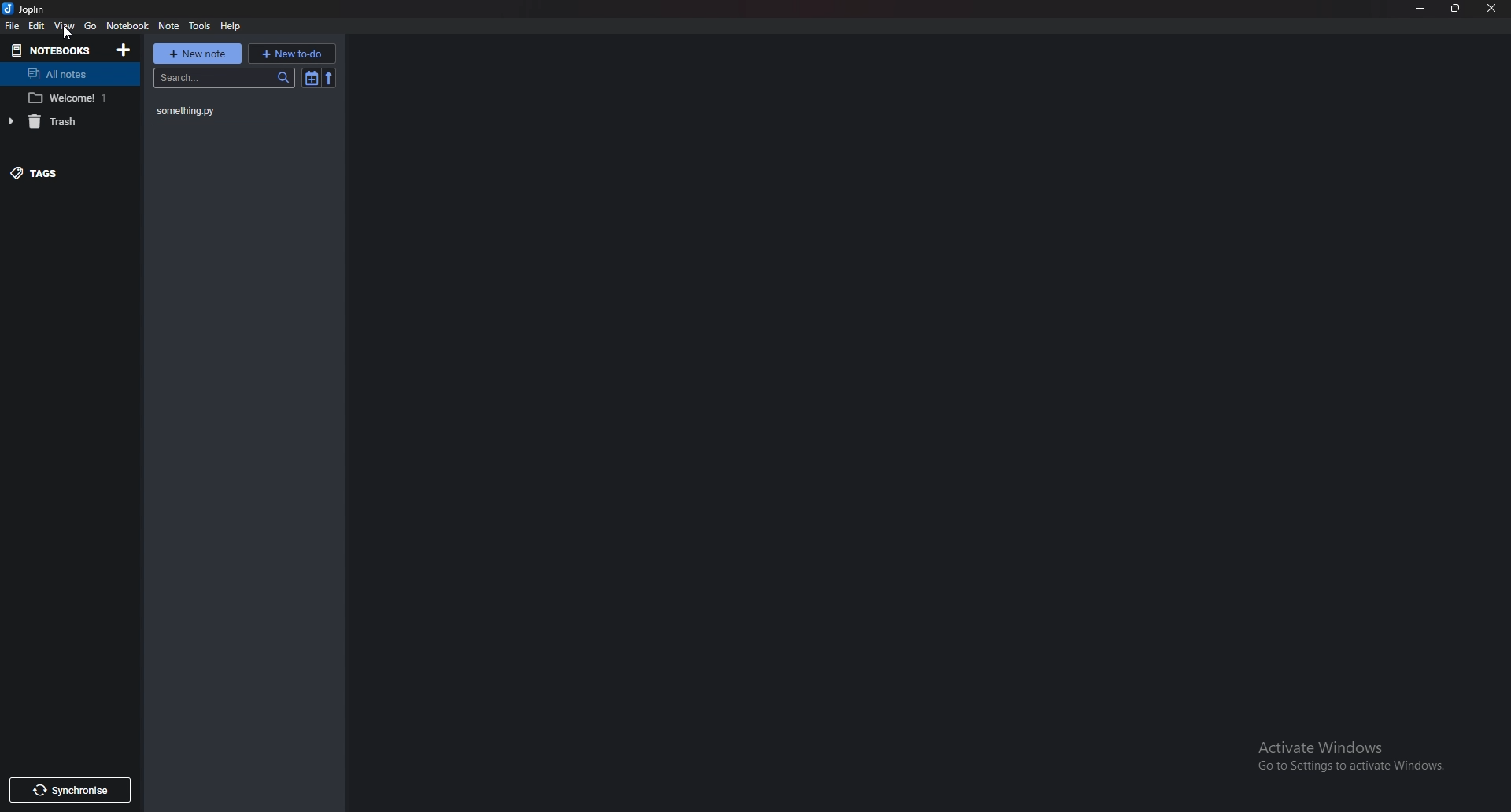 Image resolution: width=1511 pixels, height=812 pixels. Describe the element at coordinates (127, 25) in the screenshot. I see `Notebook` at that location.